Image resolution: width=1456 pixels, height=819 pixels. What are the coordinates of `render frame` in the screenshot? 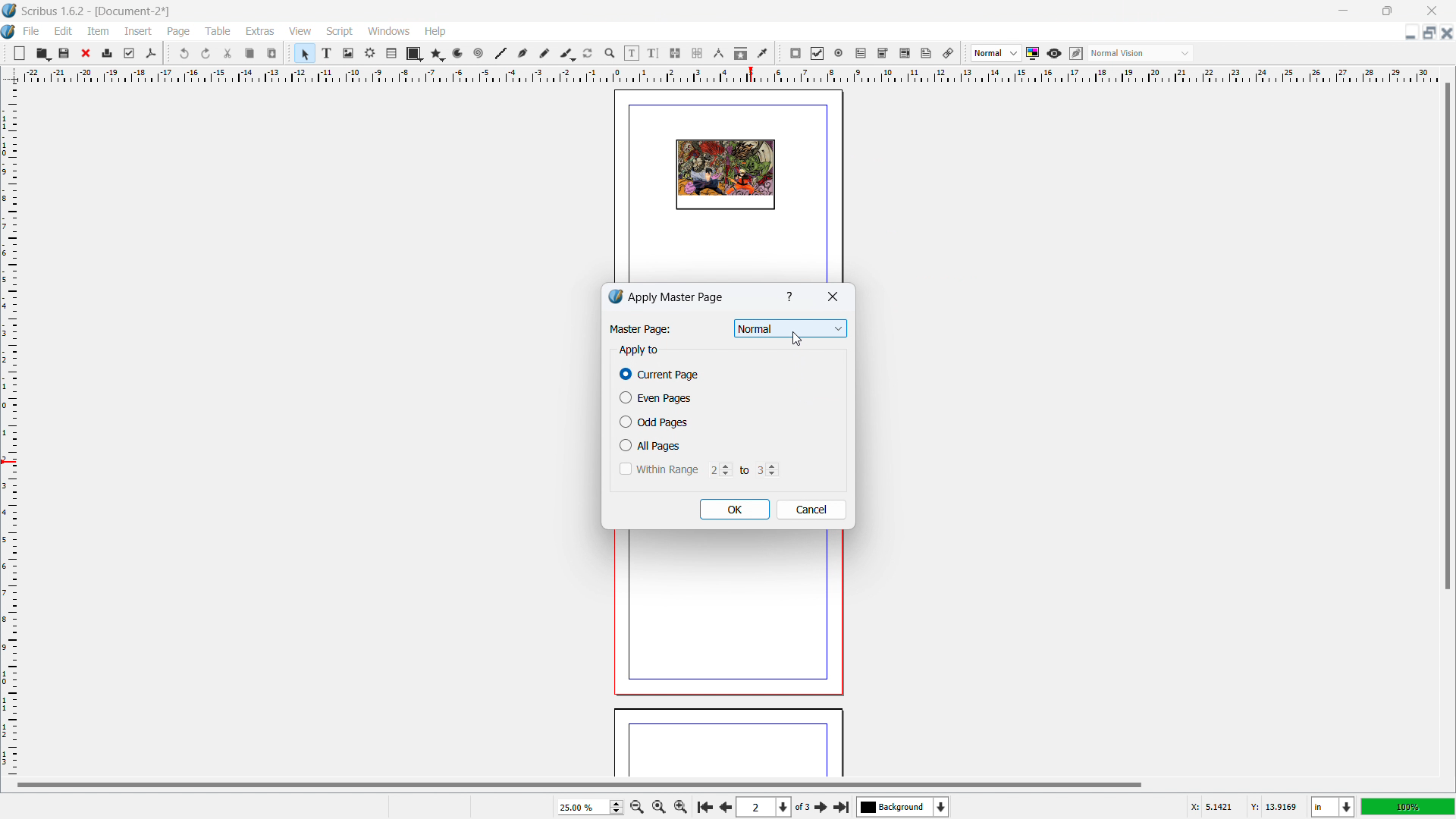 It's located at (370, 53).